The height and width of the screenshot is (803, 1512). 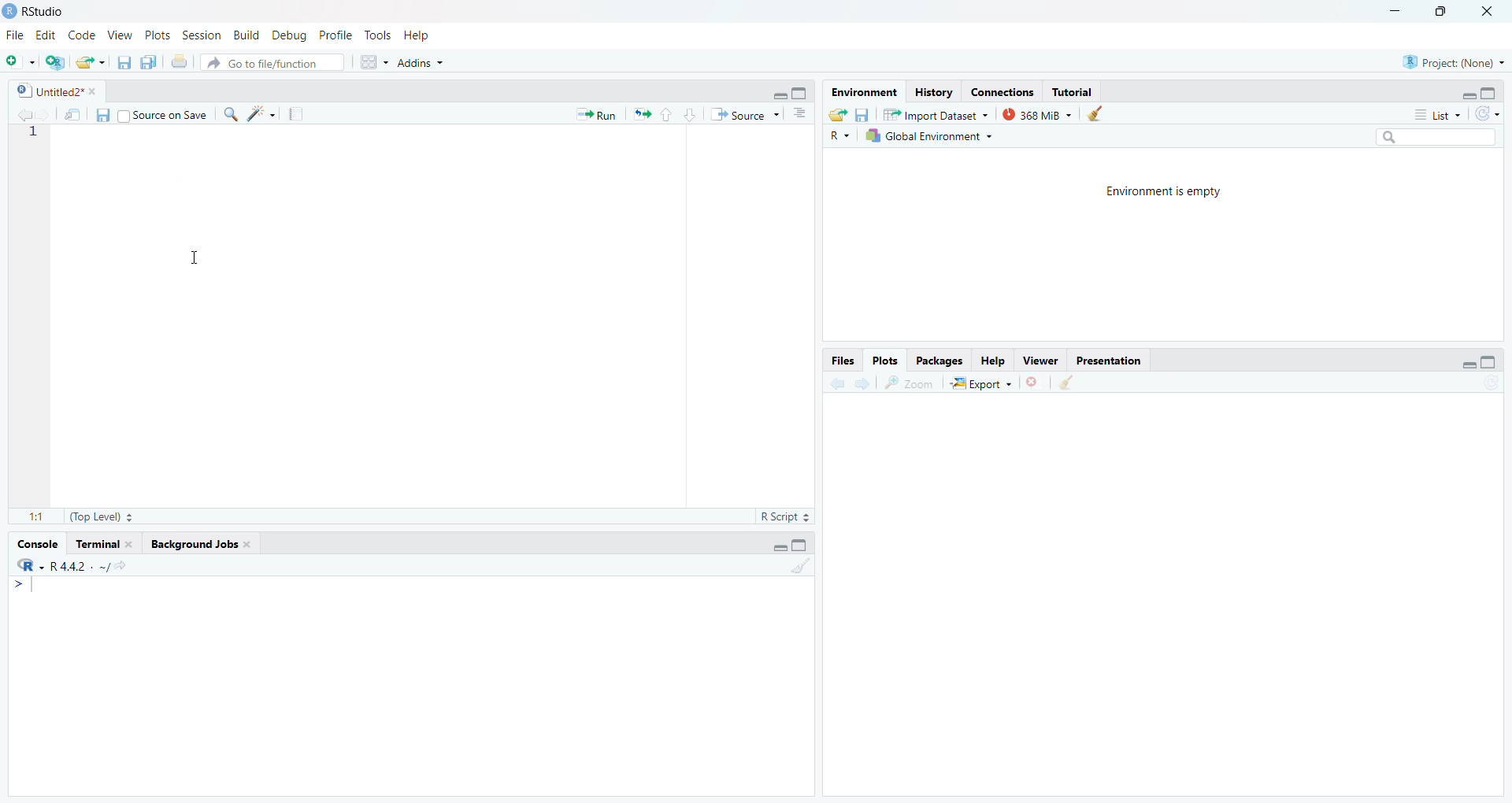 What do you see at coordinates (1487, 114) in the screenshot?
I see `refresh` at bounding box center [1487, 114].